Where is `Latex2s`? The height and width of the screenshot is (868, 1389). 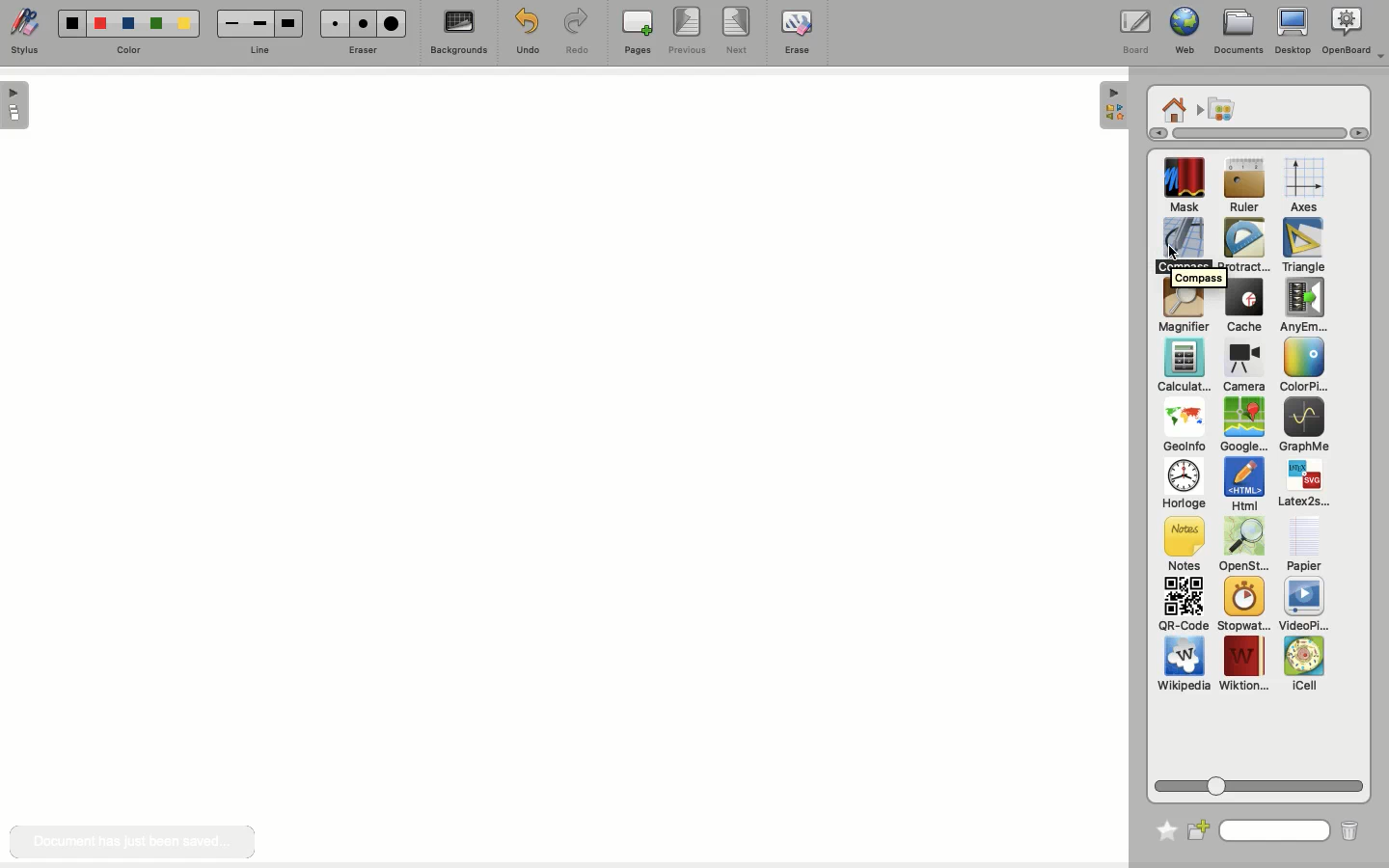
Latex2s is located at coordinates (1304, 484).